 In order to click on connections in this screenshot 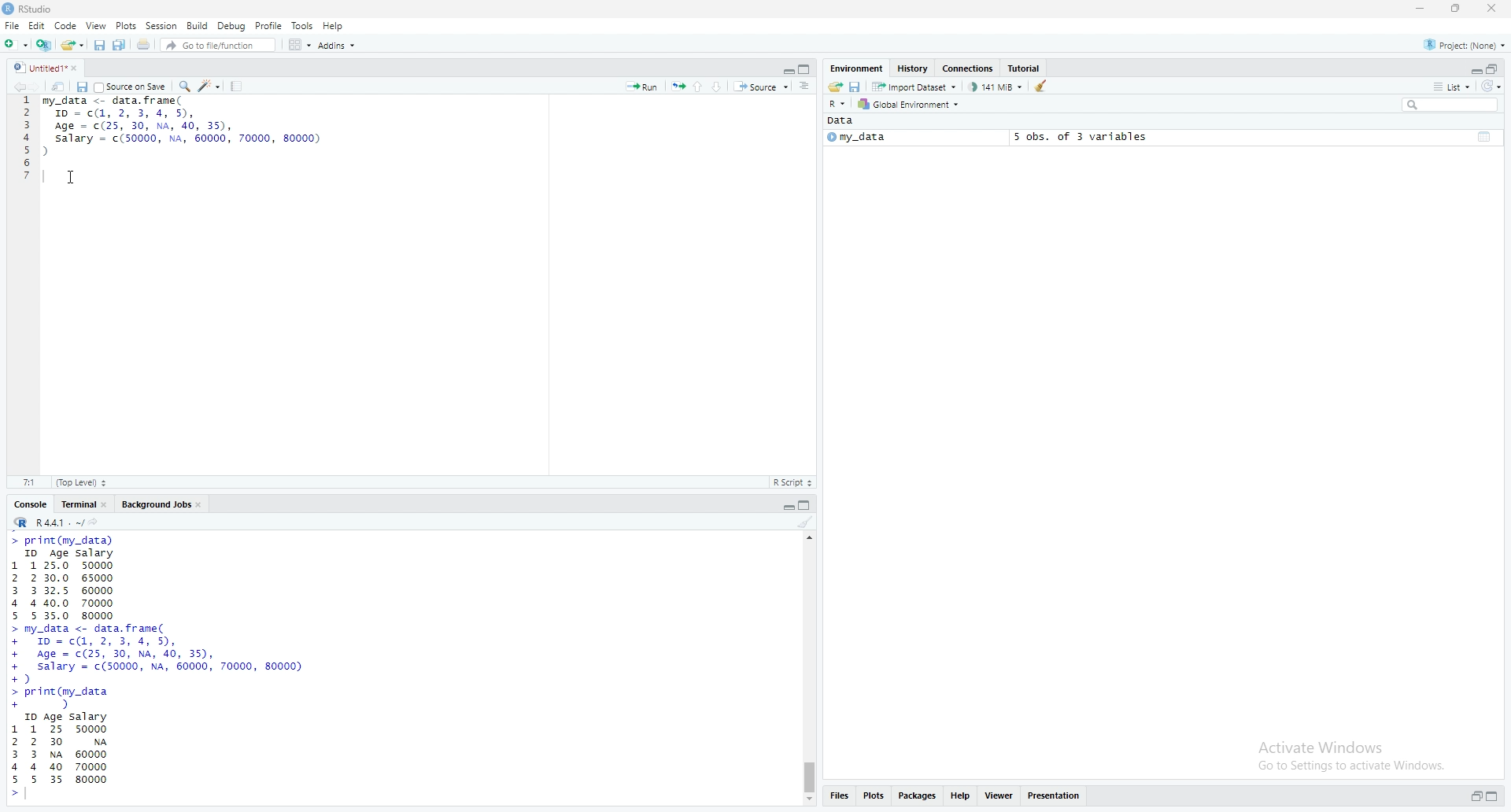, I will do `click(969, 69)`.